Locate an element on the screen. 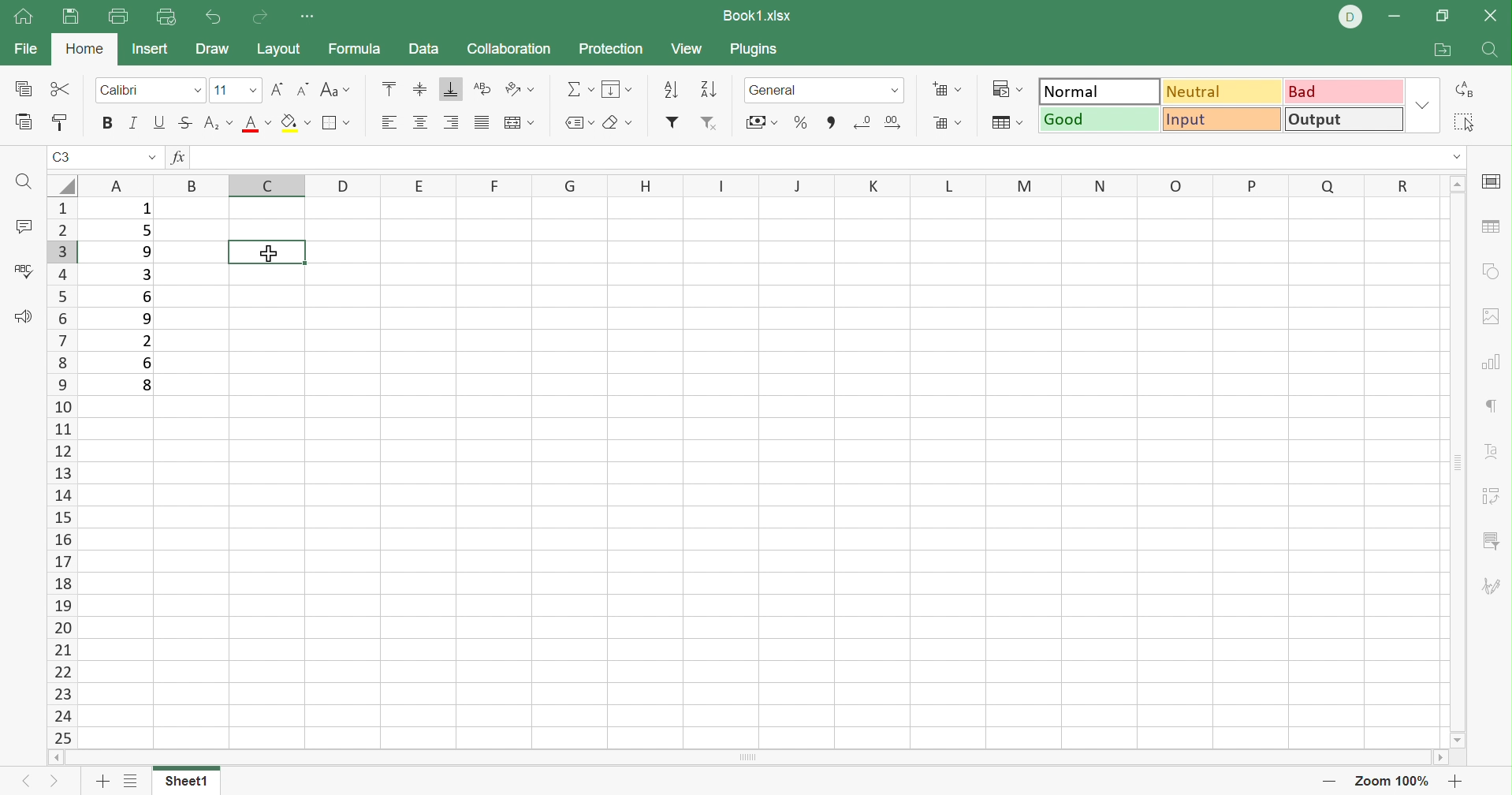 The image size is (1512, 795). Row numbers is located at coordinates (60, 472).